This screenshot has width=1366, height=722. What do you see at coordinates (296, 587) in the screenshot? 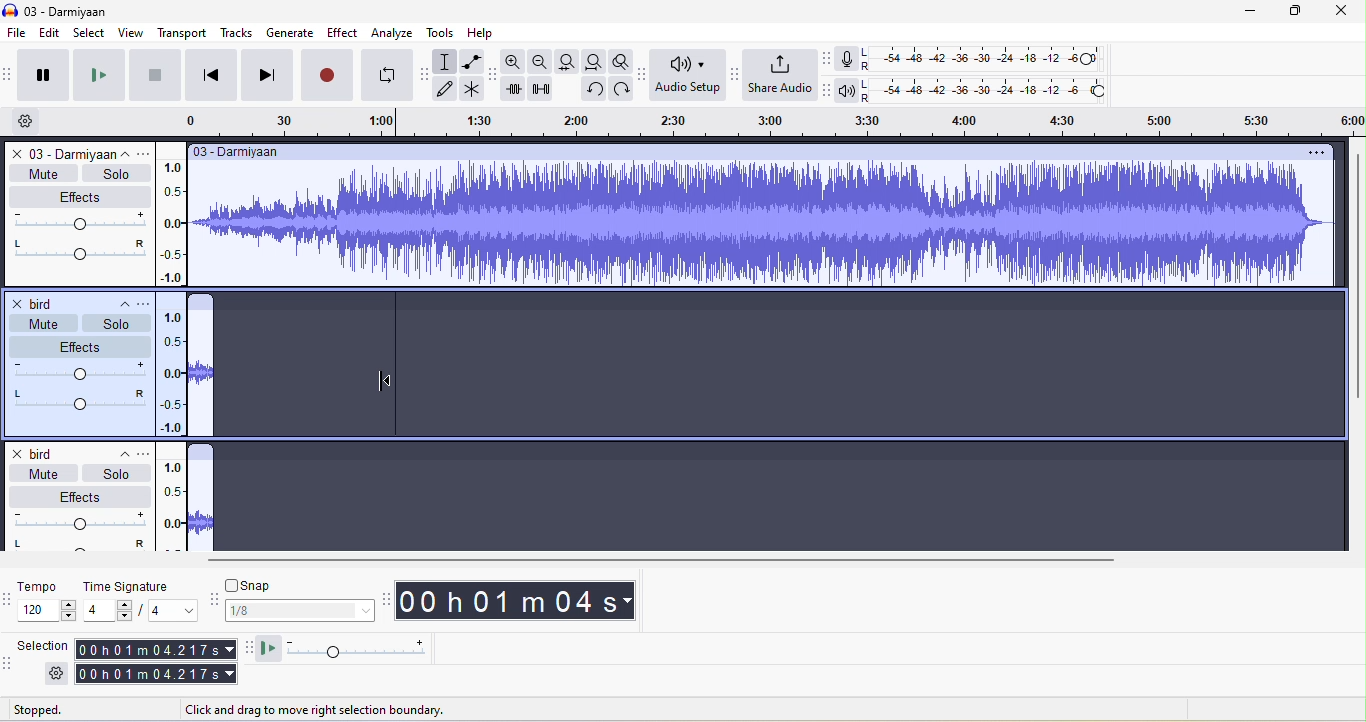
I see `snap` at bounding box center [296, 587].